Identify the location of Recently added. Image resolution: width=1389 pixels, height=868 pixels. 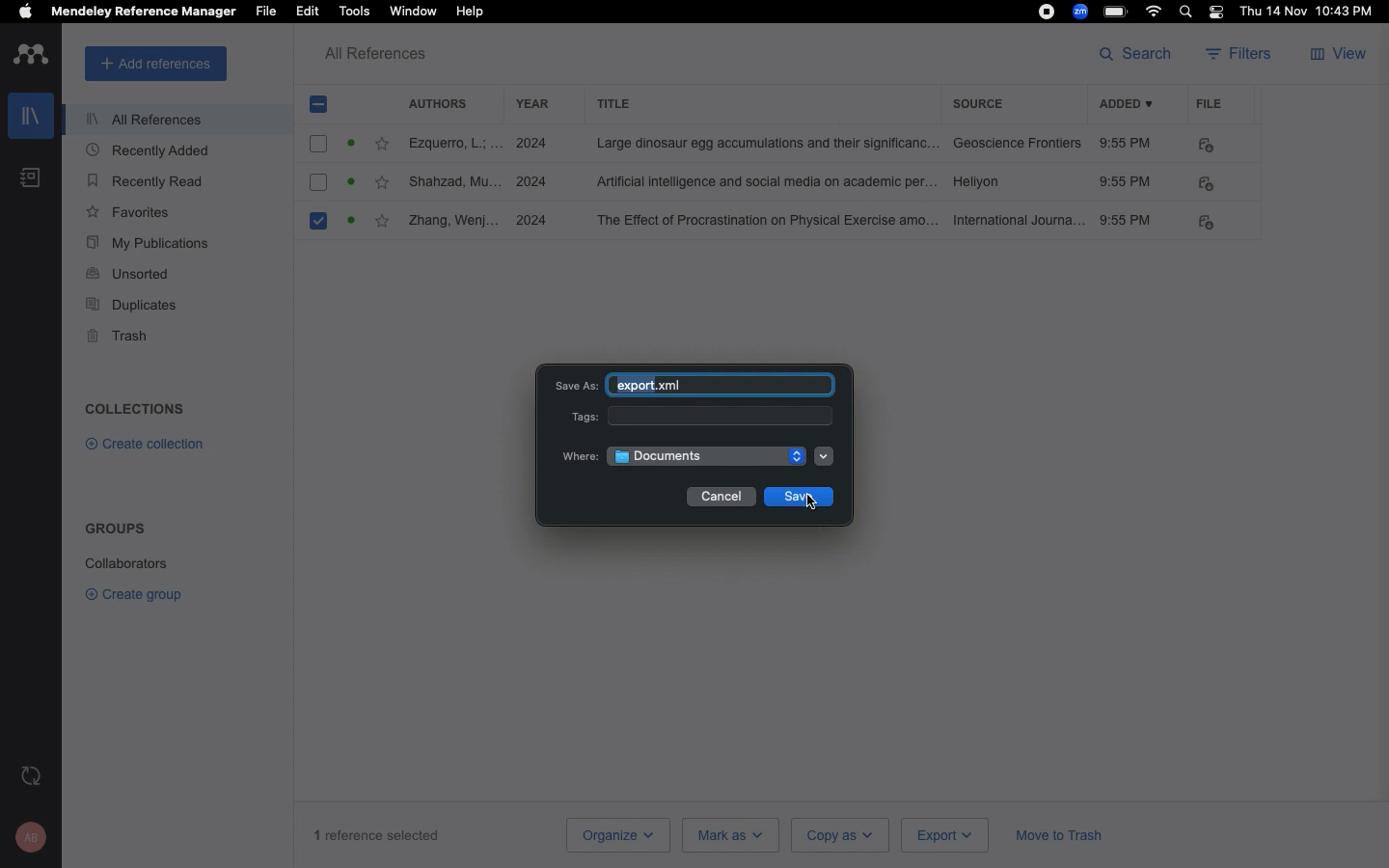
(155, 151).